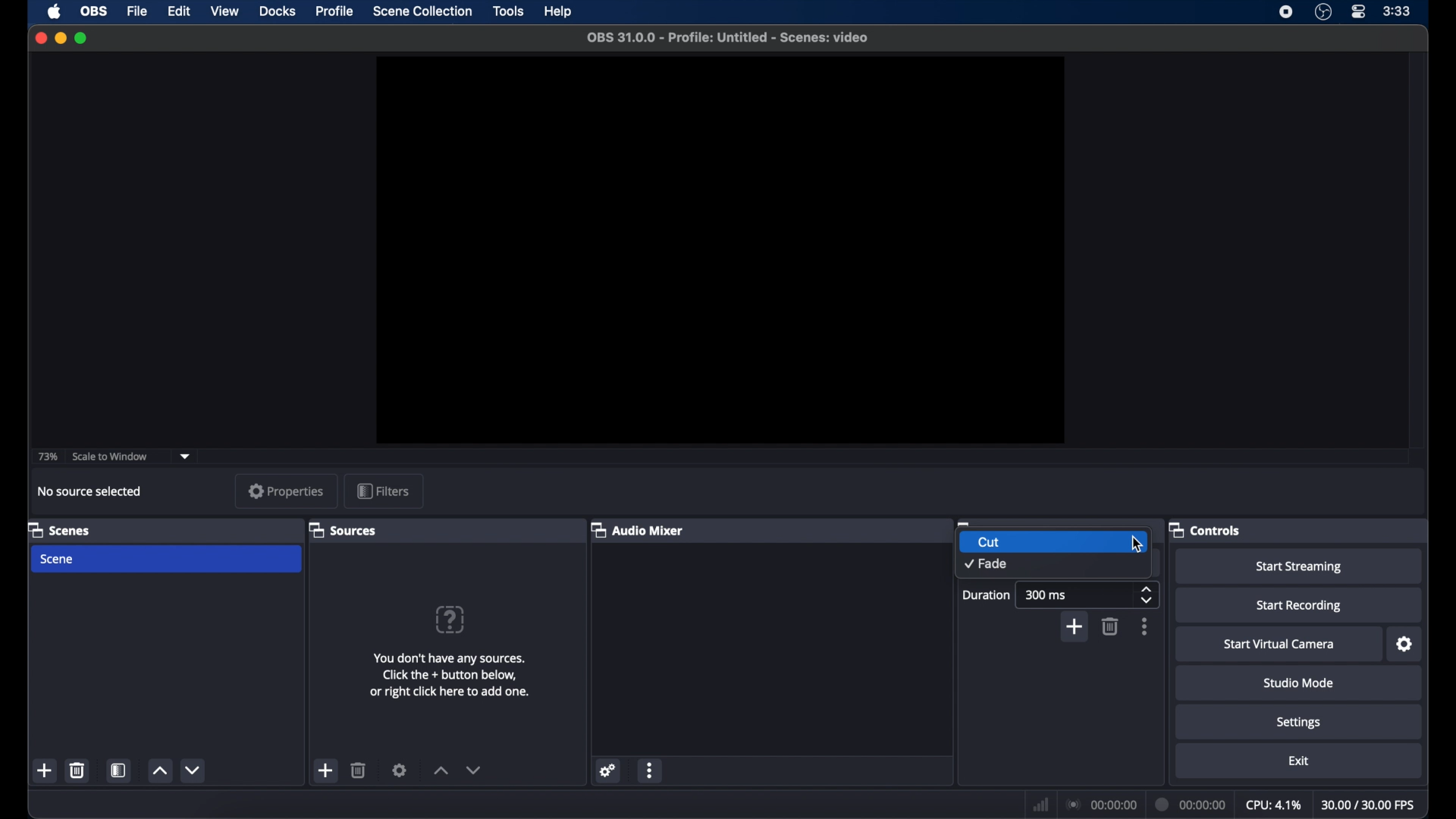 Image resolution: width=1456 pixels, height=819 pixels. I want to click on cursor, so click(1137, 544).